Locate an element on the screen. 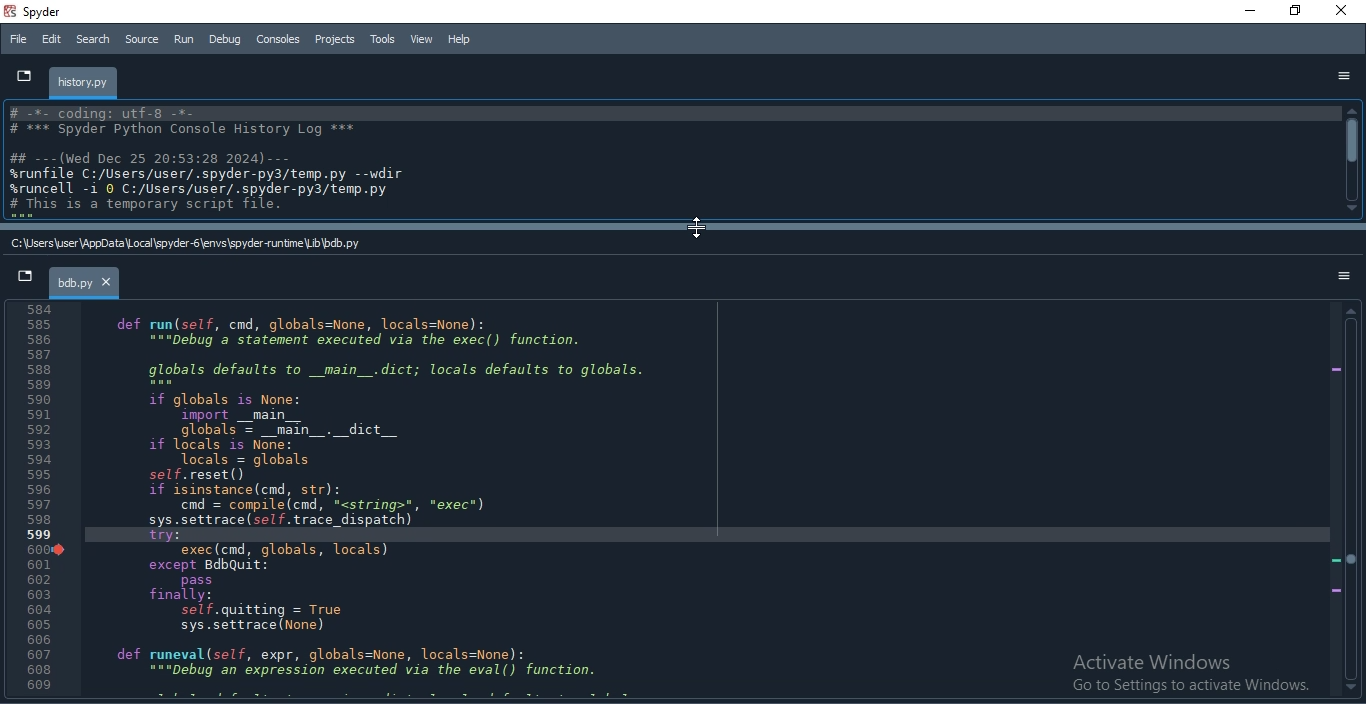 The image size is (1366, 704). tab title is located at coordinates (86, 285).